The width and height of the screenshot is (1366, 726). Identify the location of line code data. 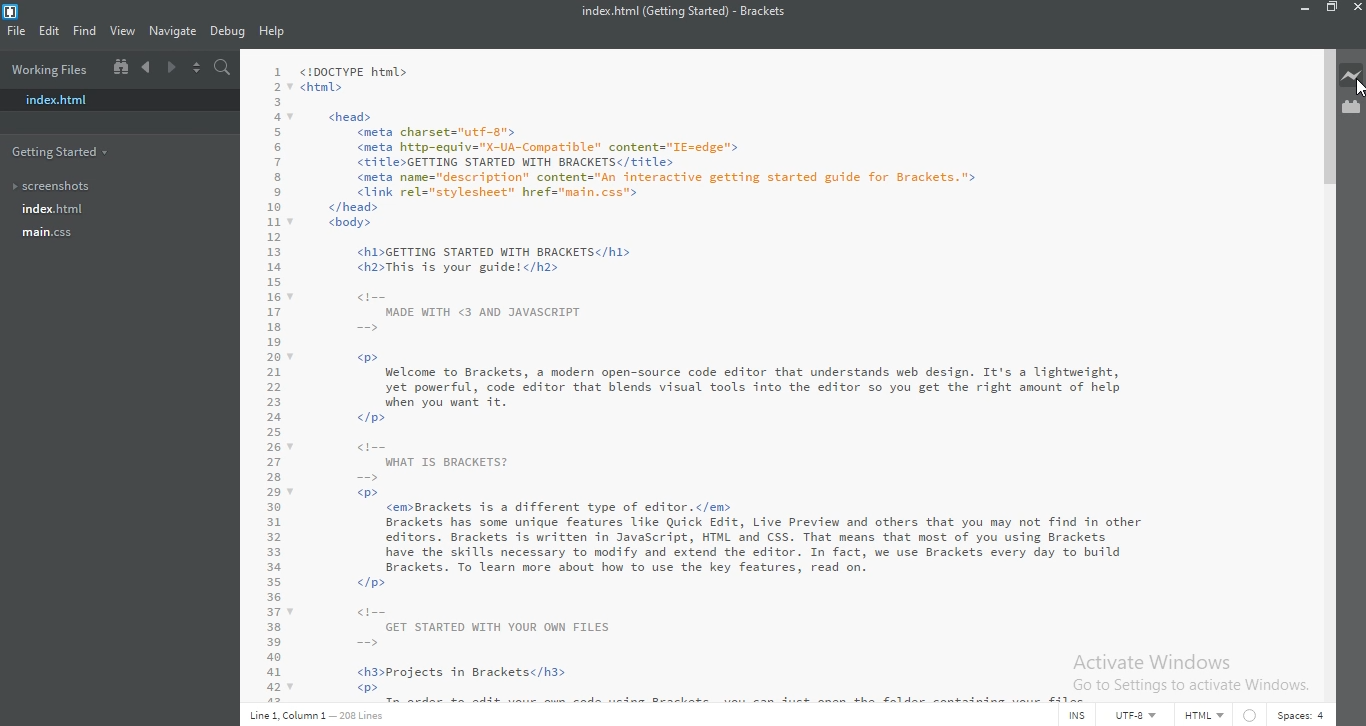
(320, 716).